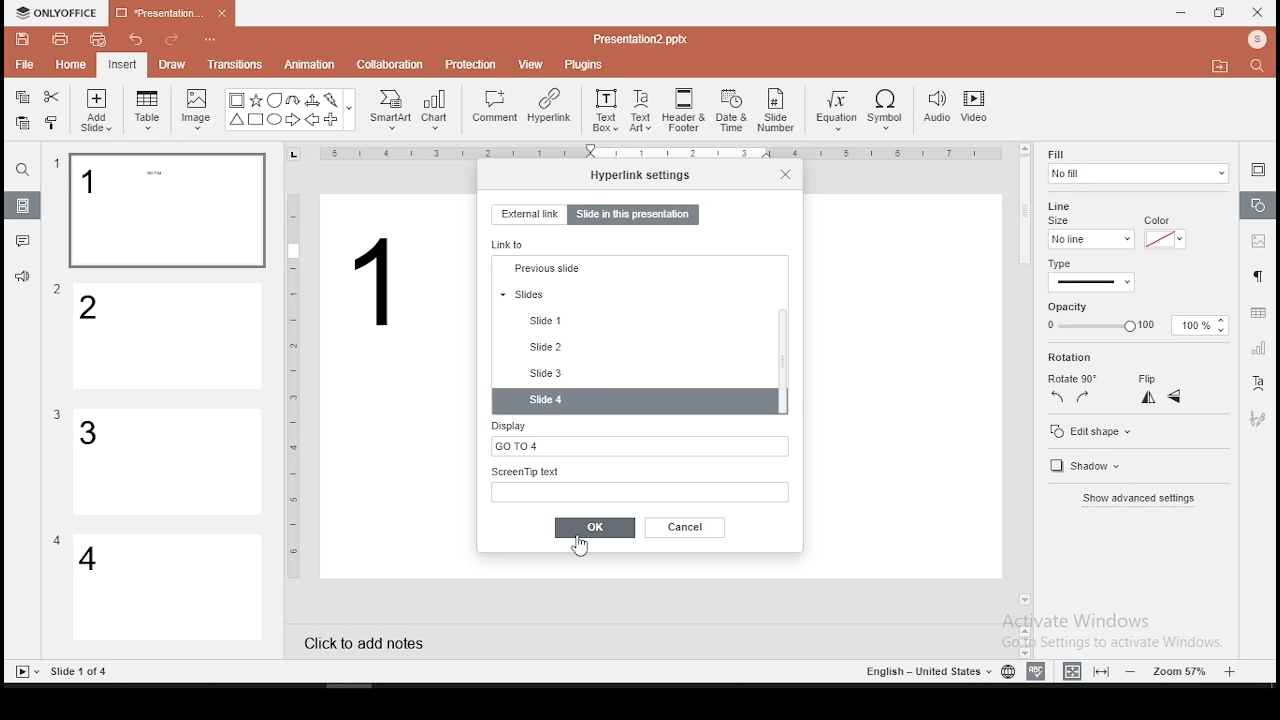 The height and width of the screenshot is (720, 1280). I want to click on icon, so click(60, 13).